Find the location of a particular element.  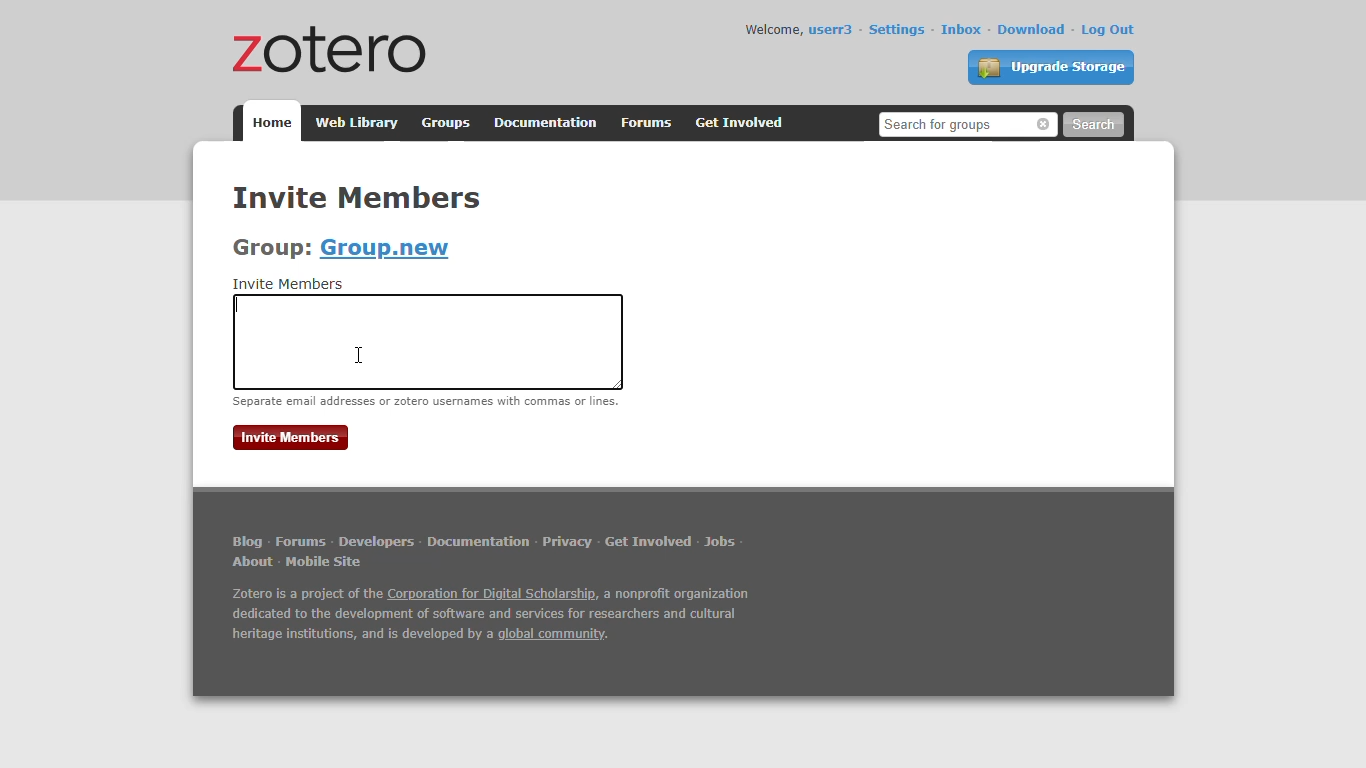

group: Group.new is located at coordinates (341, 248).